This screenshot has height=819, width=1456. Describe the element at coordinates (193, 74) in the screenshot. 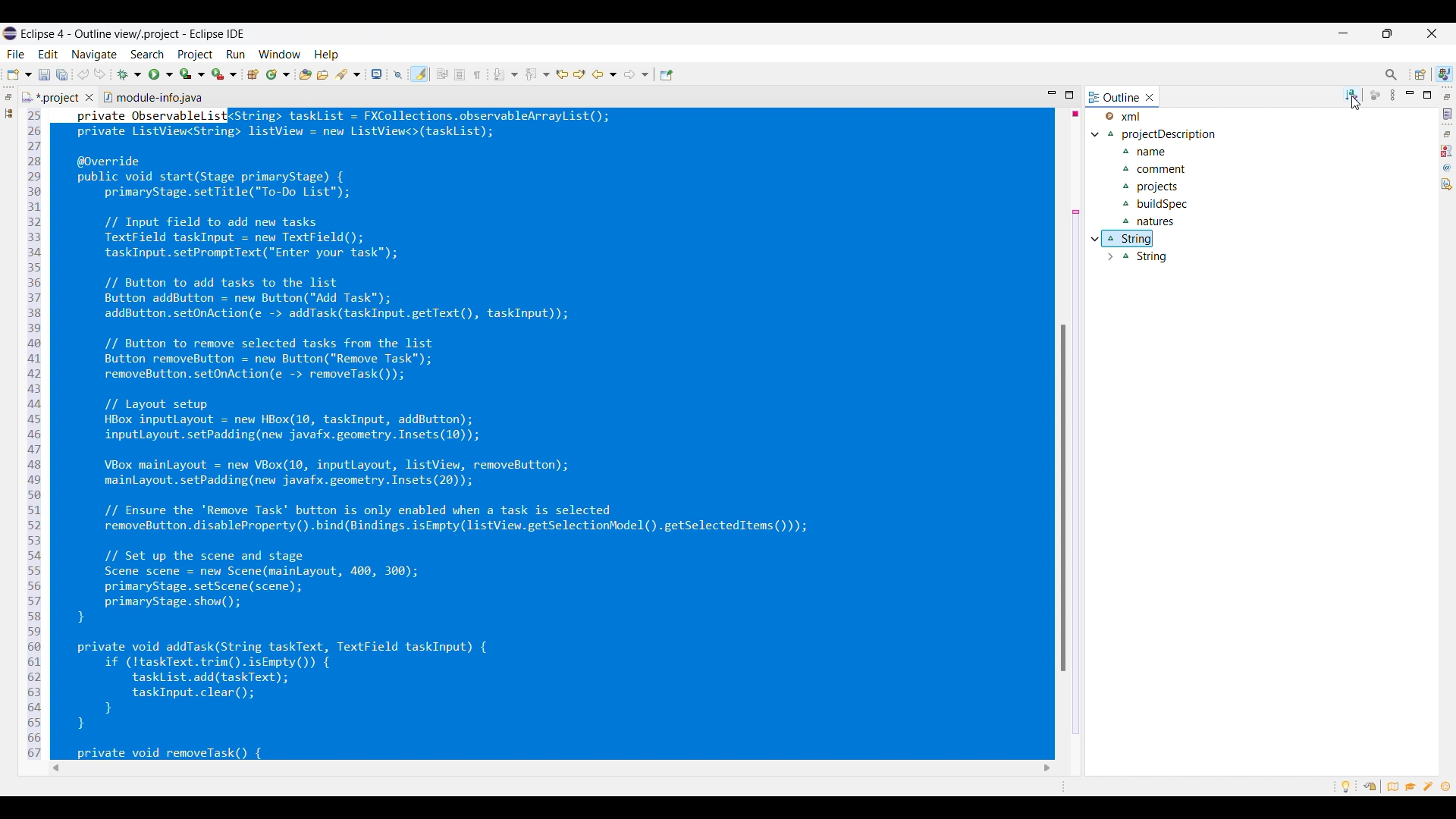

I see `Coverage options` at that location.